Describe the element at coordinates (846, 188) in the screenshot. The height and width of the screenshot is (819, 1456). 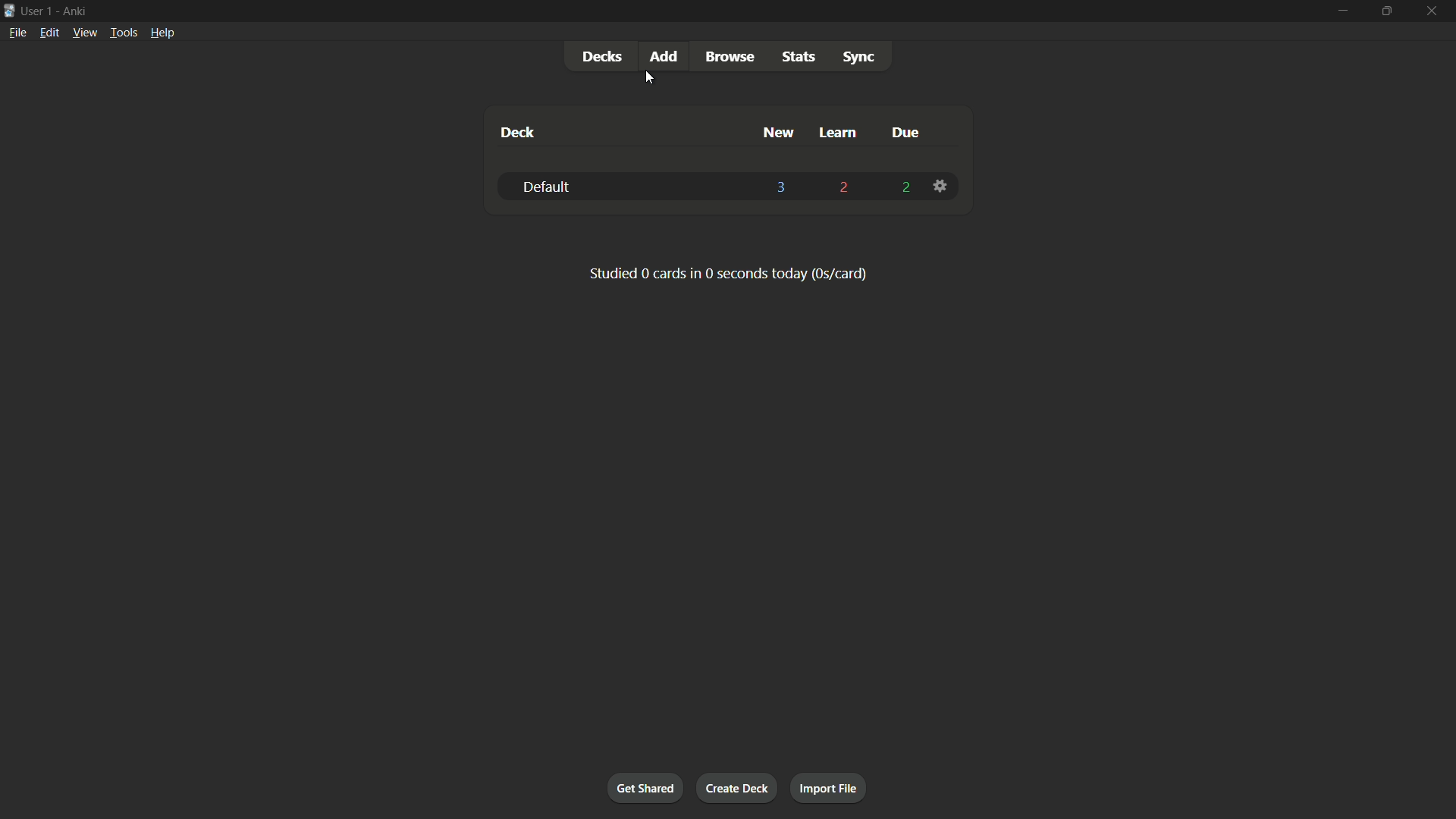
I see `2` at that location.